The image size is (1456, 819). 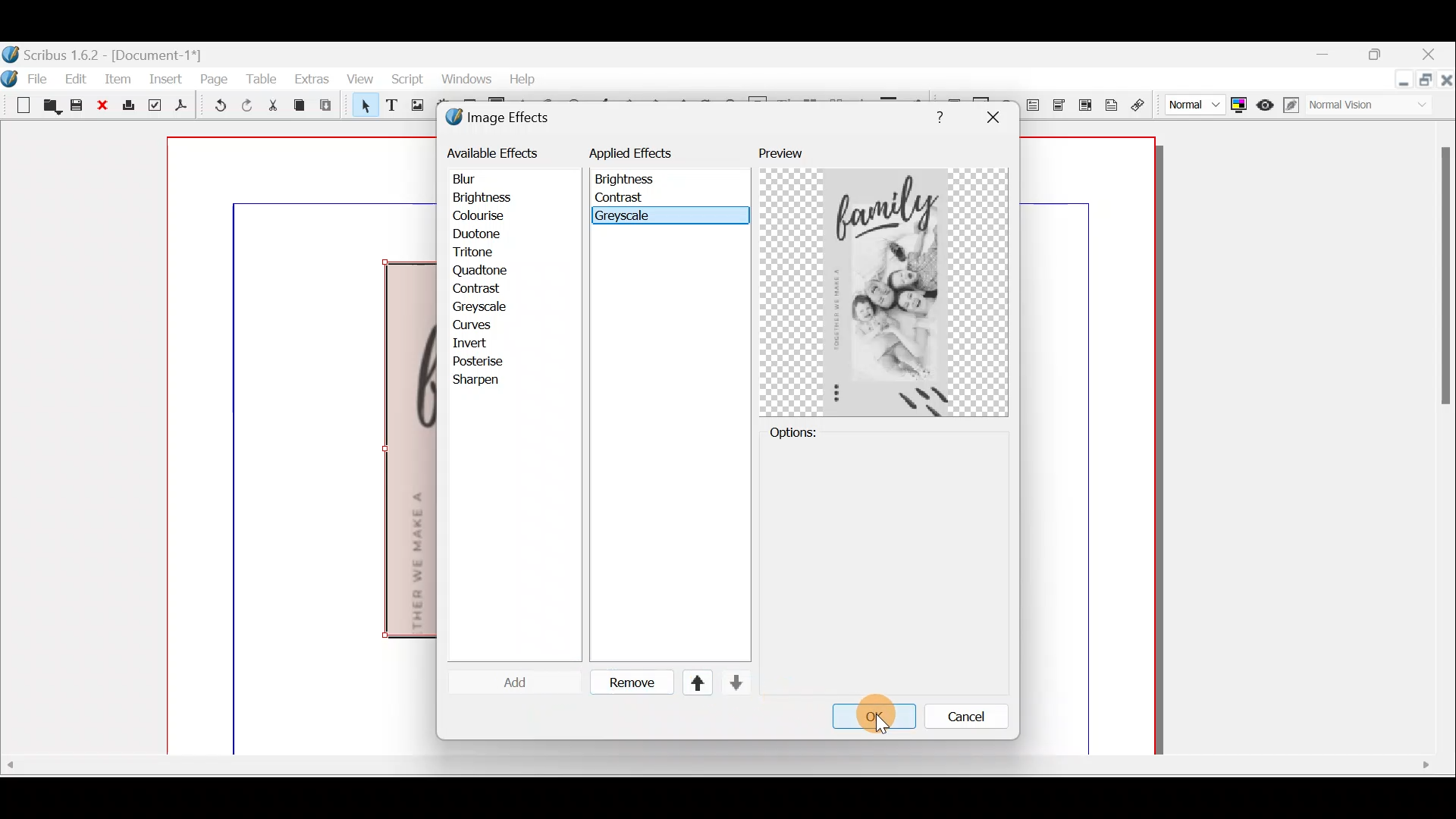 I want to click on Extras, so click(x=312, y=83).